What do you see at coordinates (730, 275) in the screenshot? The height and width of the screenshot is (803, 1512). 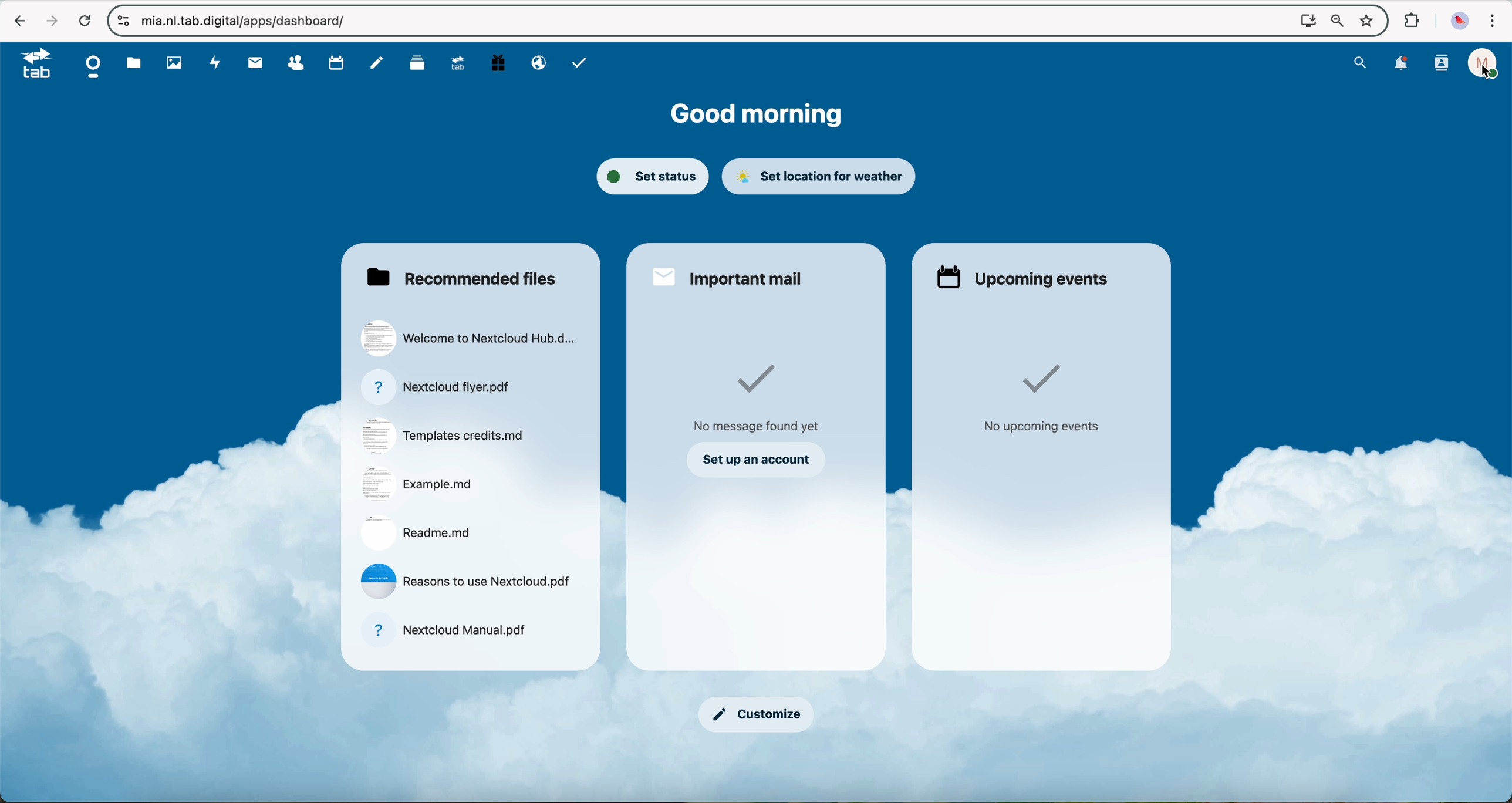 I see `important mail` at bounding box center [730, 275].